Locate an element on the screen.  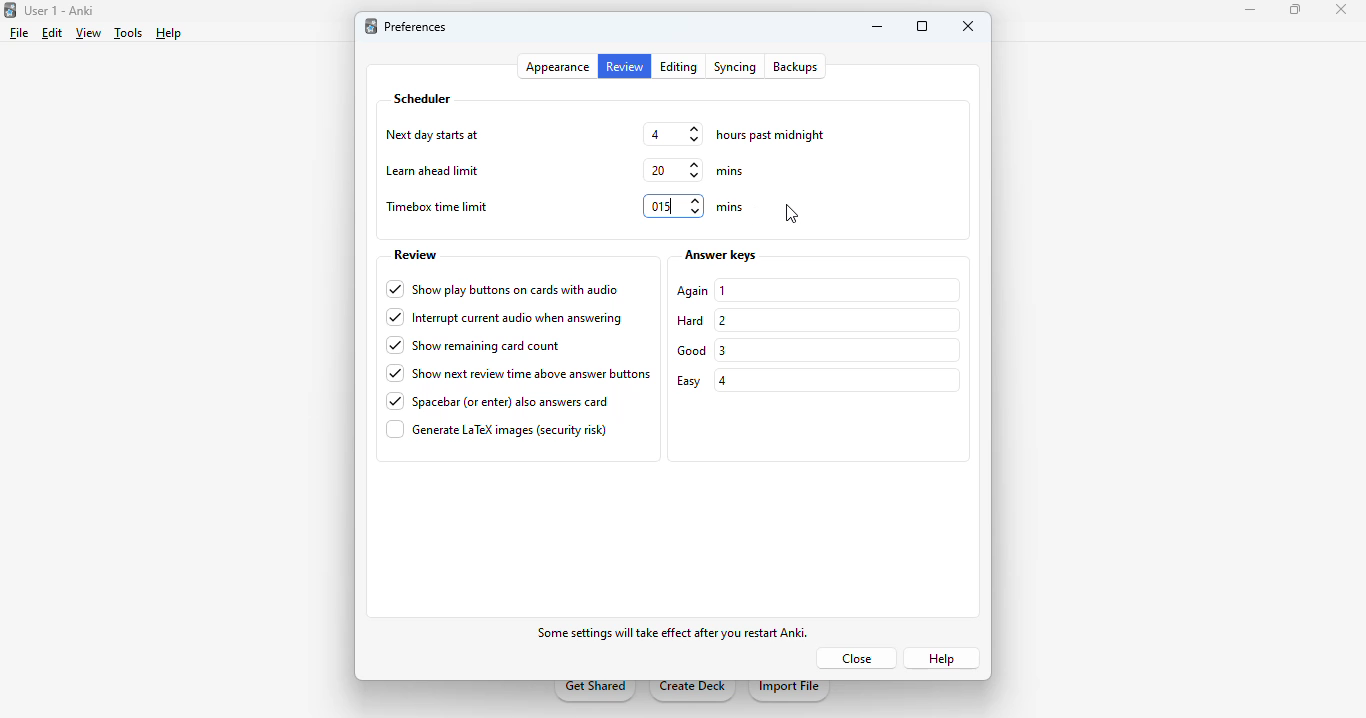
get shared is located at coordinates (596, 691).